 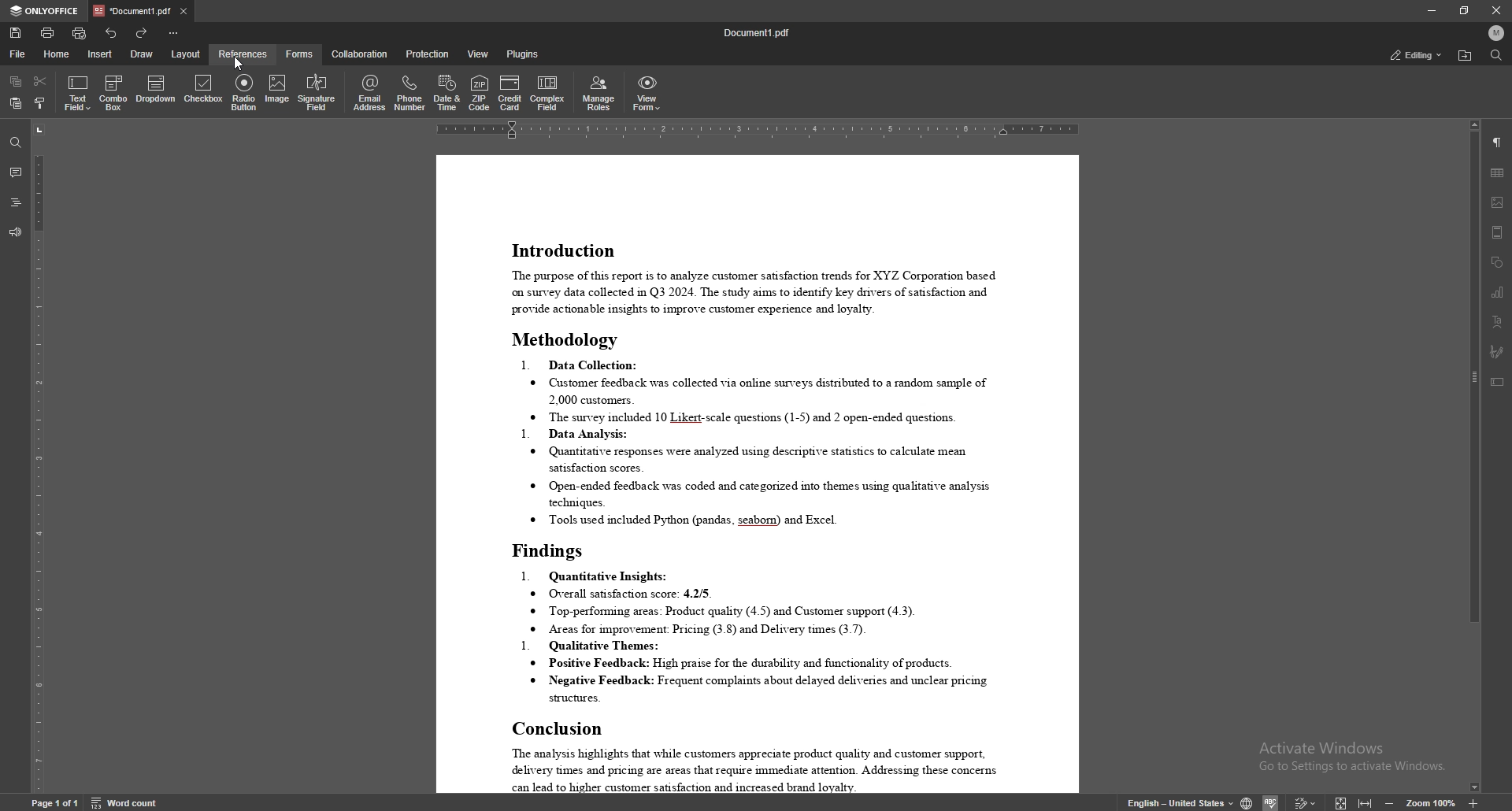 What do you see at coordinates (480, 93) in the screenshot?
I see `zip code` at bounding box center [480, 93].